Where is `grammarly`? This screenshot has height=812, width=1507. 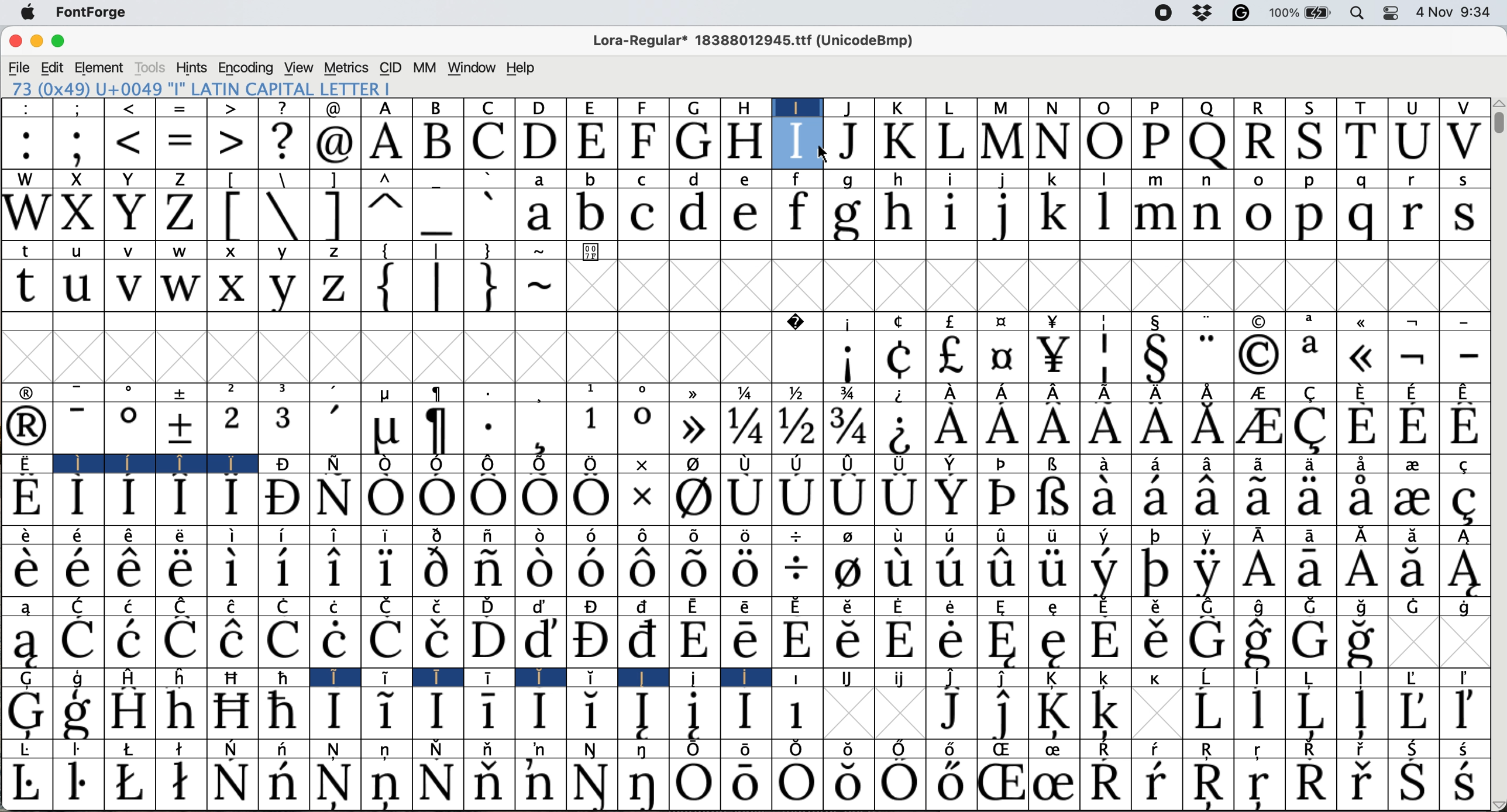
grammarly is located at coordinates (1246, 14).